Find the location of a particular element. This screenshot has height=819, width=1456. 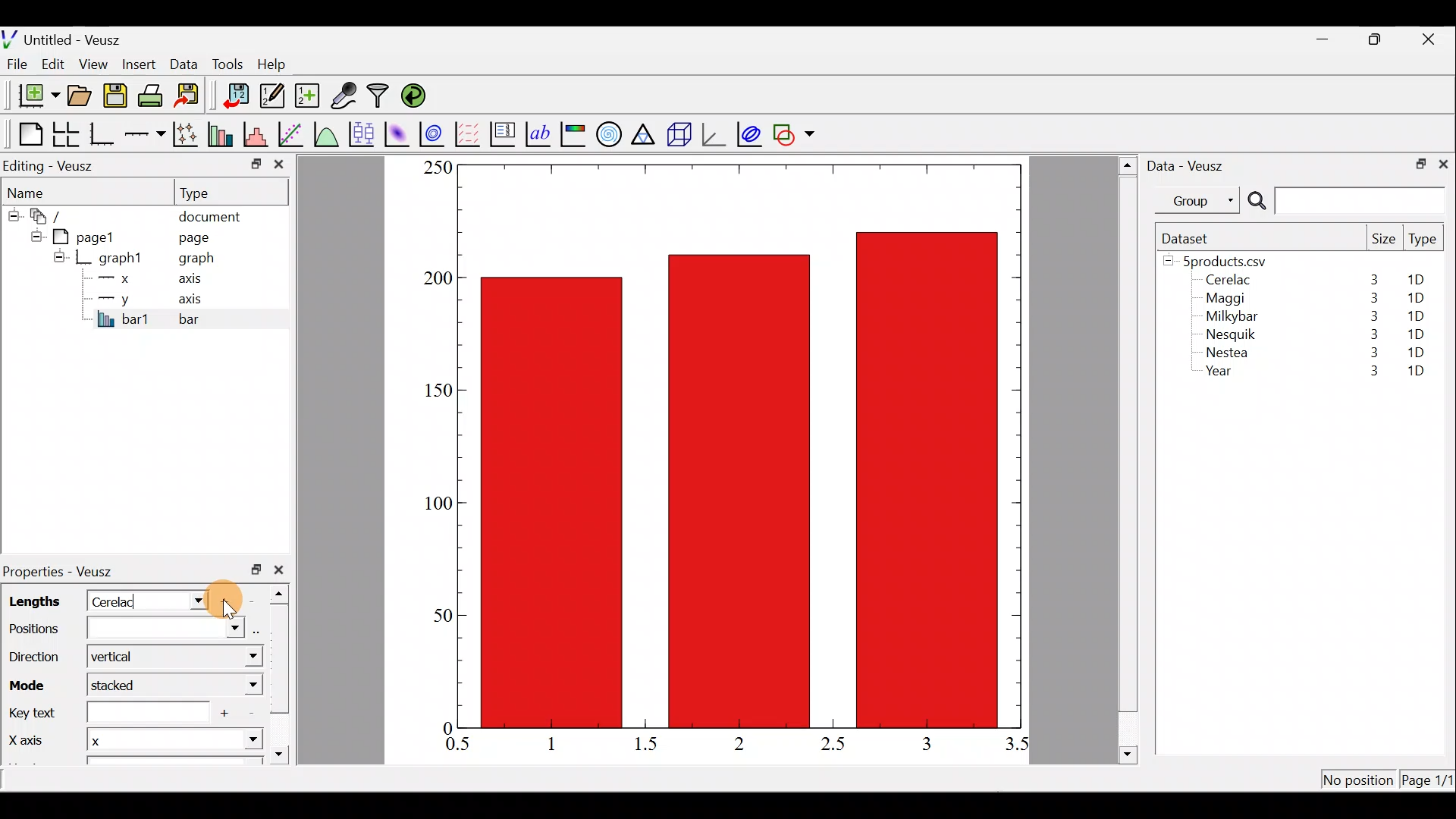

Plot a 2d dataset as an image is located at coordinates (399, 132).